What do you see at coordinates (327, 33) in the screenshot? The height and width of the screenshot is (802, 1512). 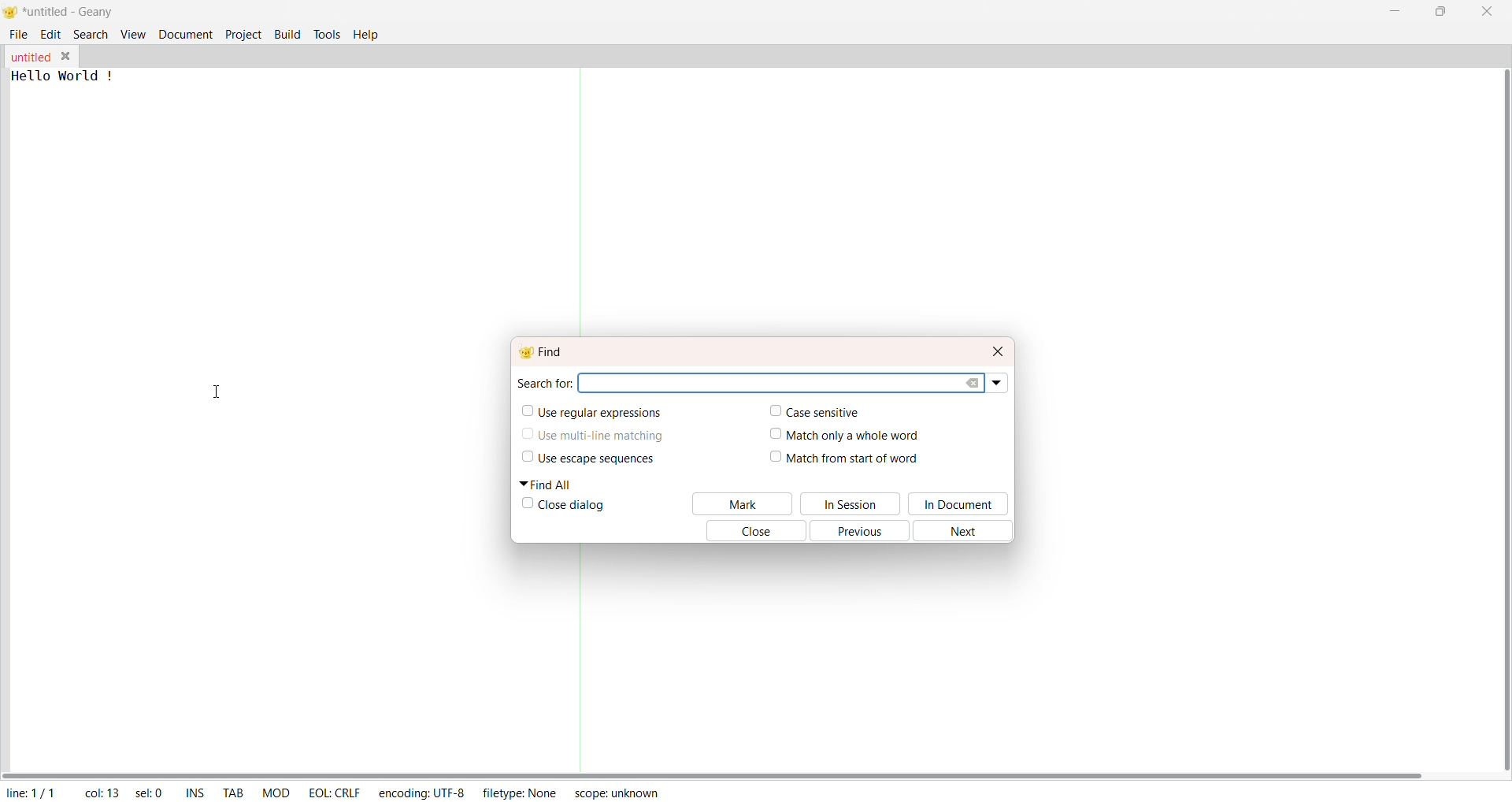 I see `Tools` at bounding box center [327, 33].